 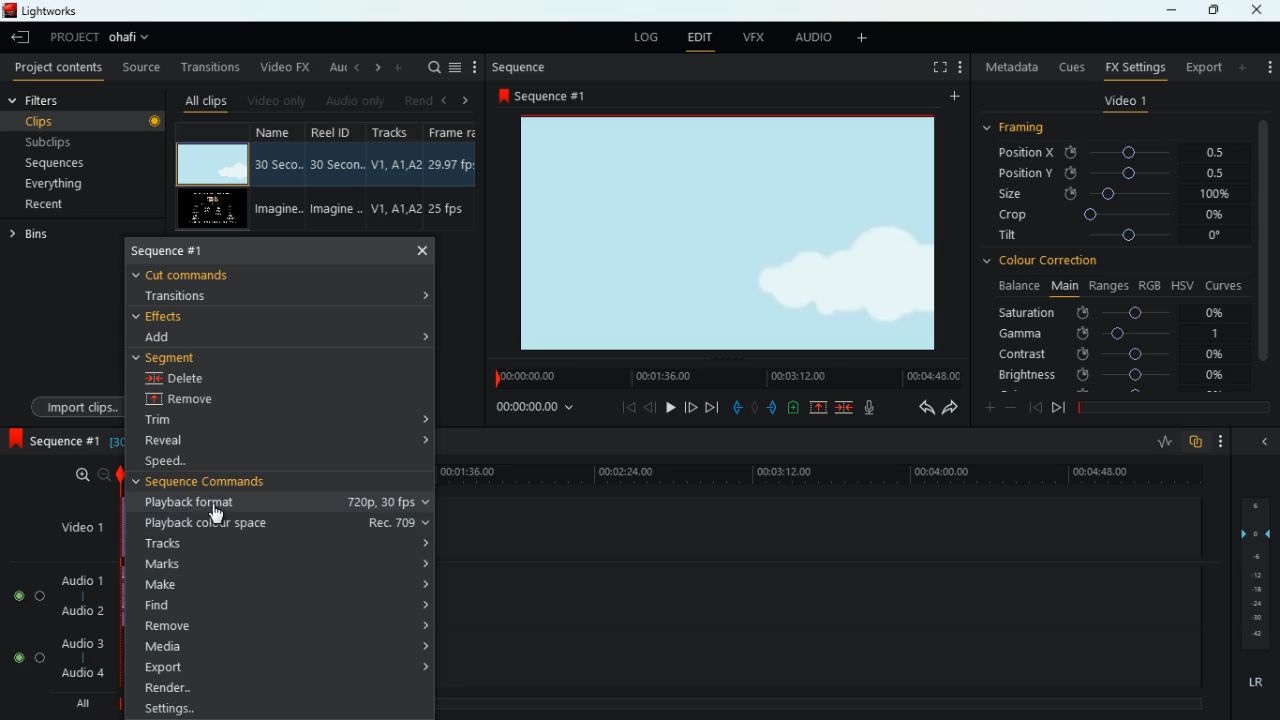 What do you see at coordinates (988, 407) in the screenshot?
I see `more` at bounding box center [988, 407].